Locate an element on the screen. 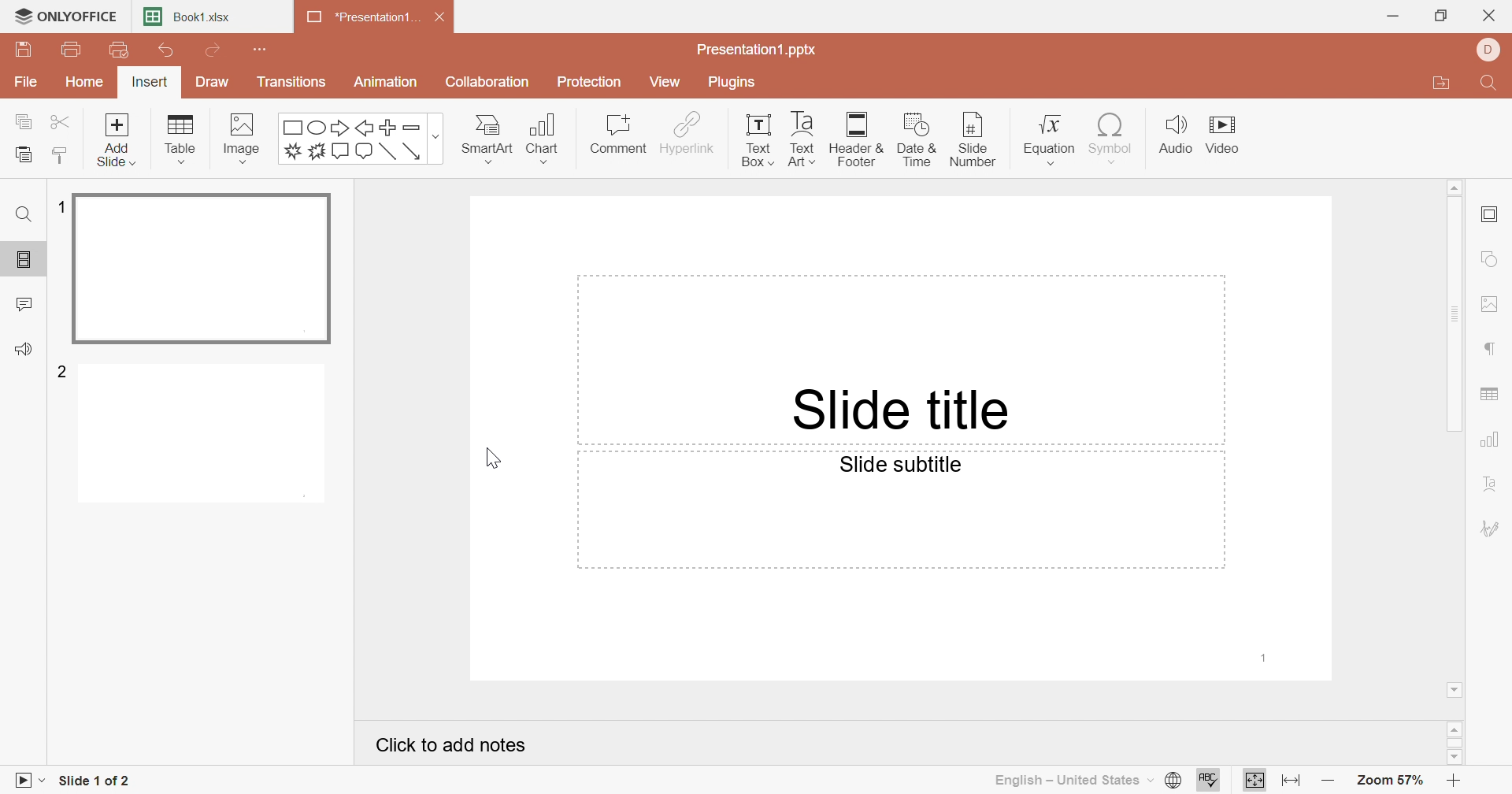 This screenshot has width=1512, height=794. Protection is located at coordinates (591, 84).